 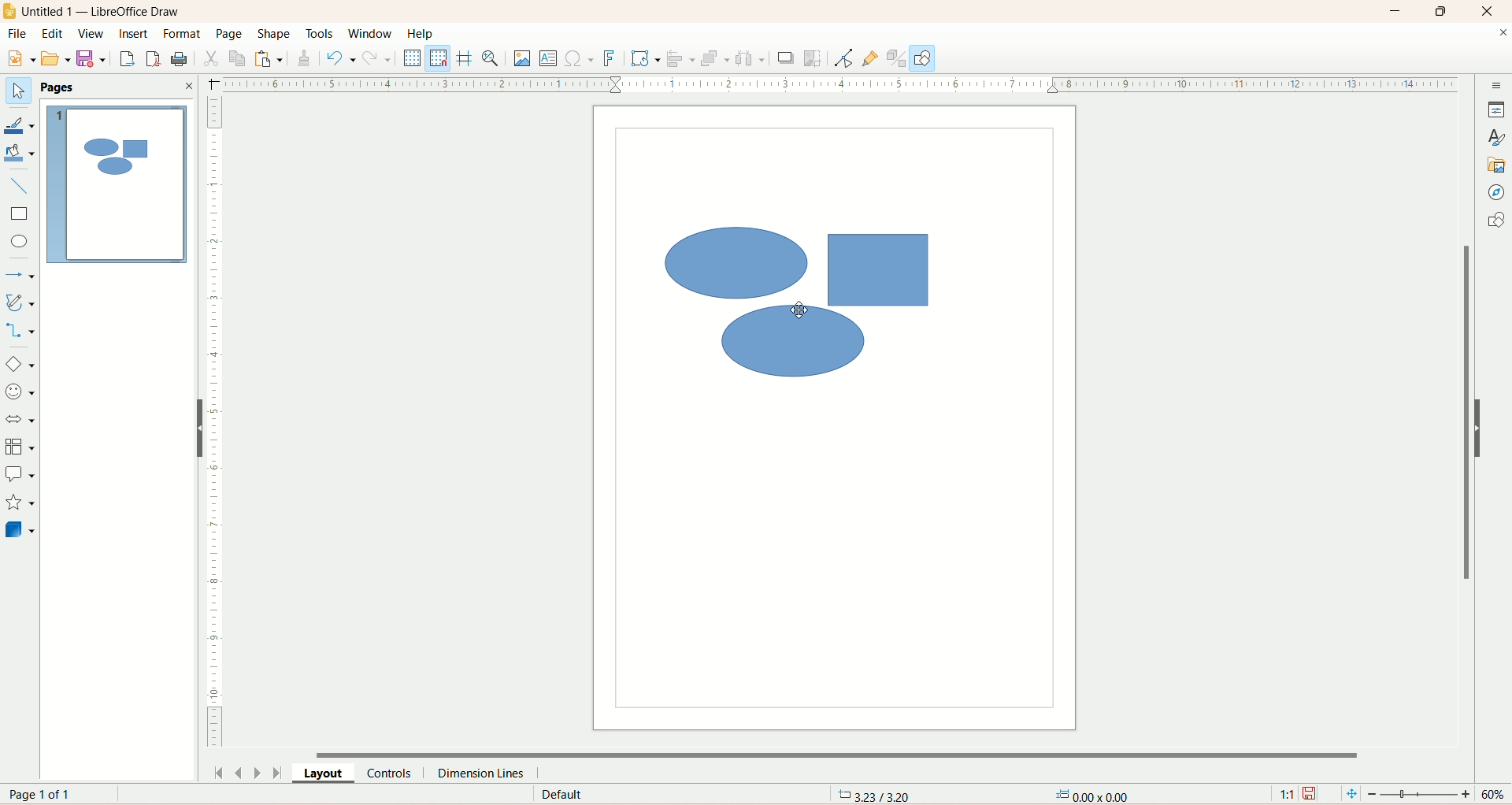 I want to click on vertical scroll bar, so click(x=1466, y=436).